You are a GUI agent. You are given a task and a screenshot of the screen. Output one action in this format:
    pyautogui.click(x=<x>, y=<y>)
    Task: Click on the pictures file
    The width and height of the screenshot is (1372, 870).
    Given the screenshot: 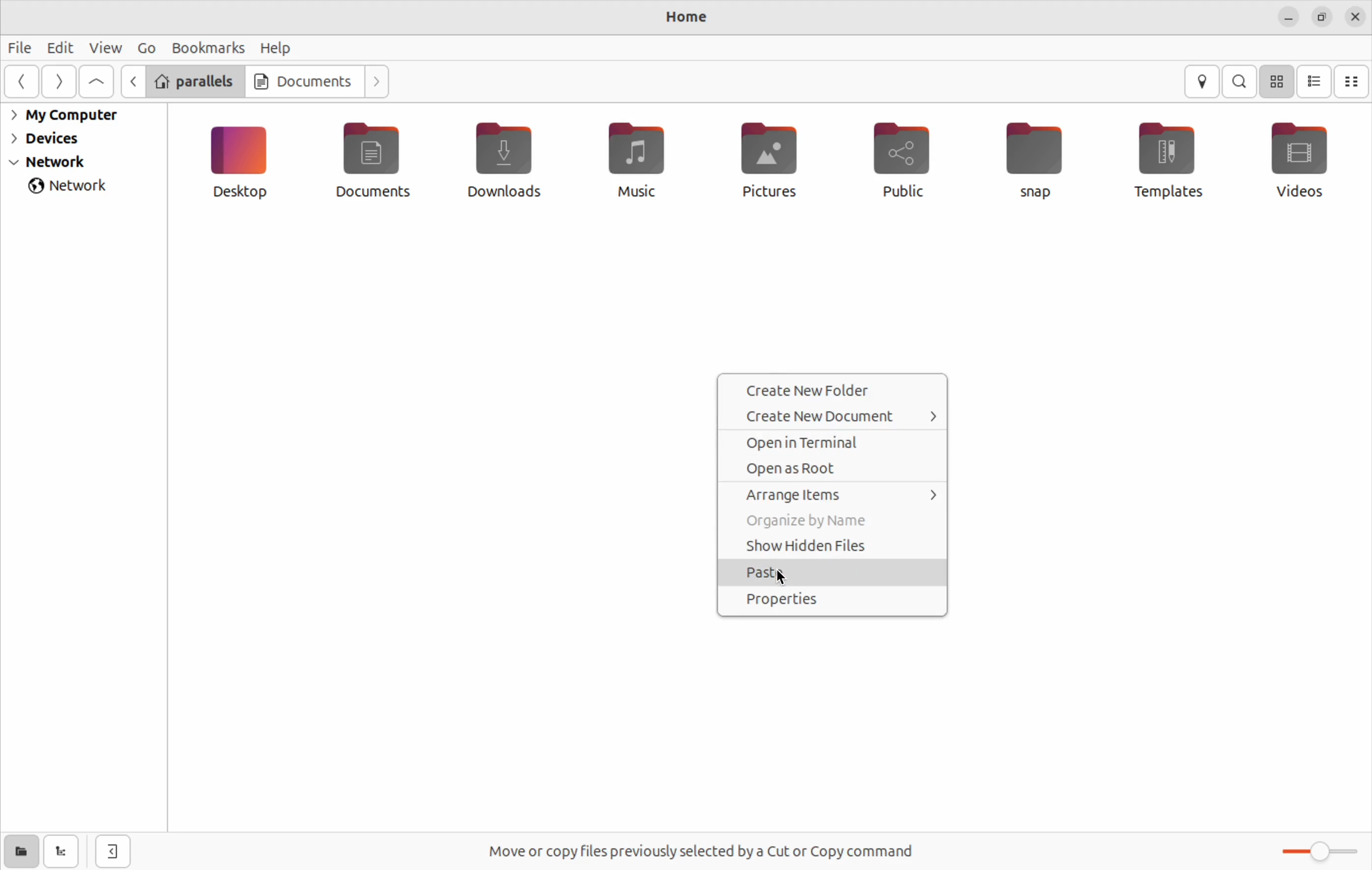 What is the action you would take?
    pyautogui.click(x=777, y=163)
    